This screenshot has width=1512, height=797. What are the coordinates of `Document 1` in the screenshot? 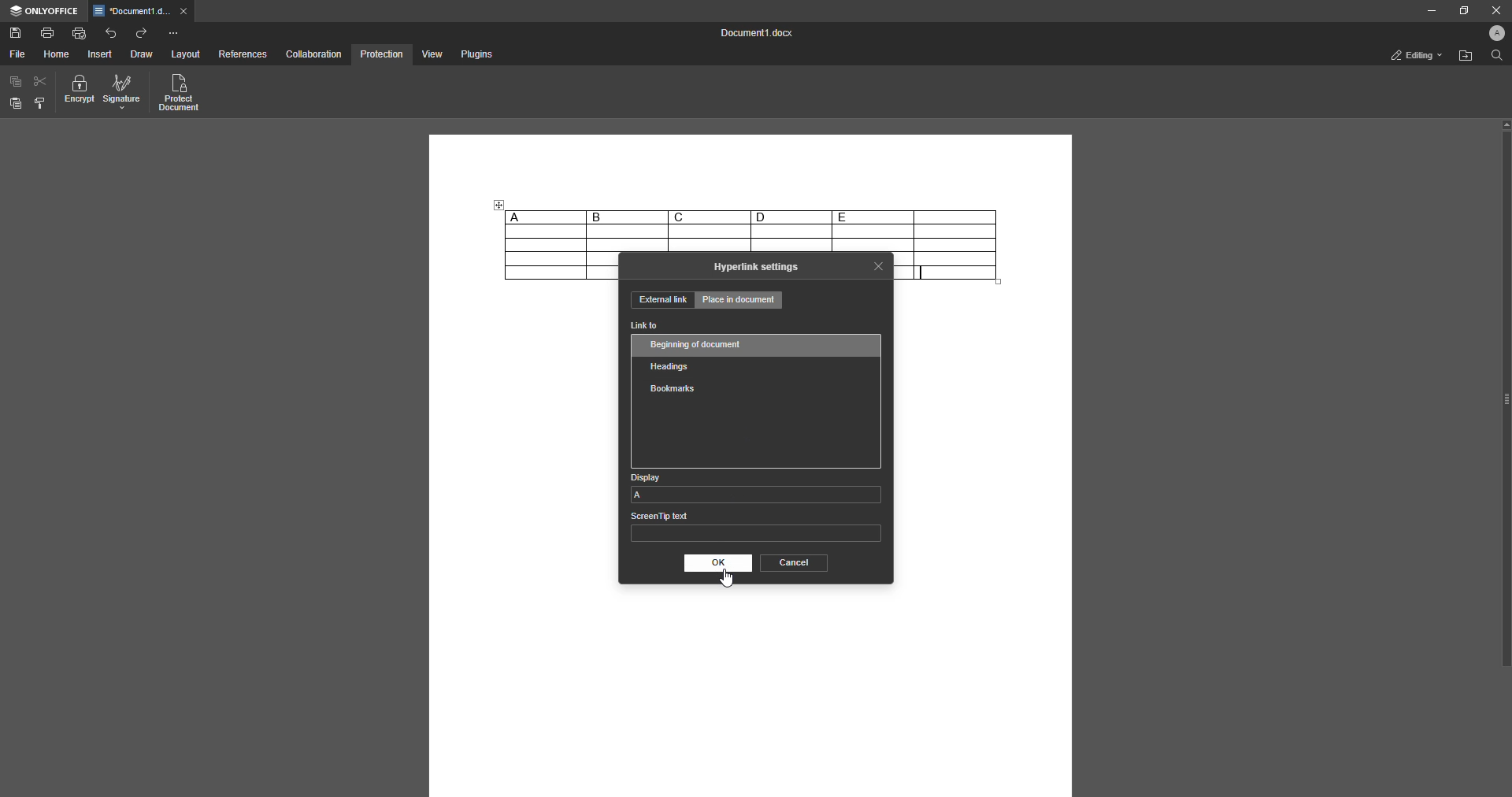 It's located at (753, 35).